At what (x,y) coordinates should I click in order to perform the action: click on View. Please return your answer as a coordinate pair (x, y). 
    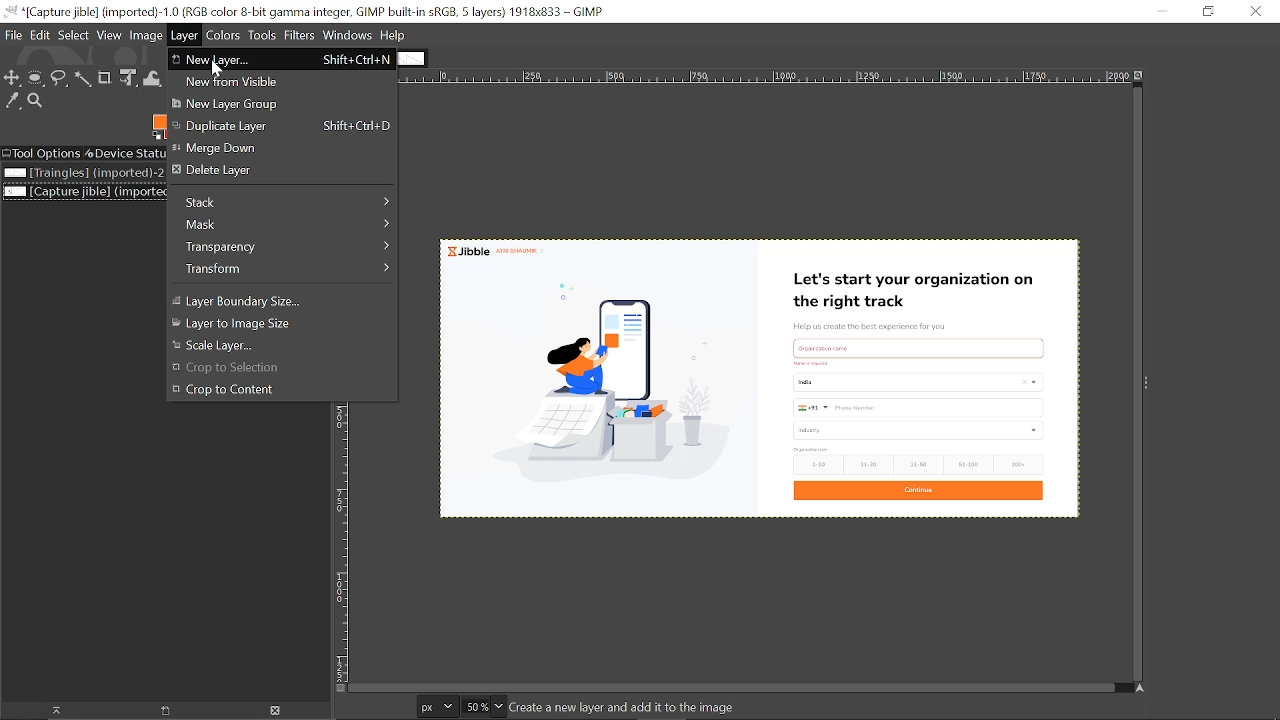
    Looking at the image, I should click on (109, 35).